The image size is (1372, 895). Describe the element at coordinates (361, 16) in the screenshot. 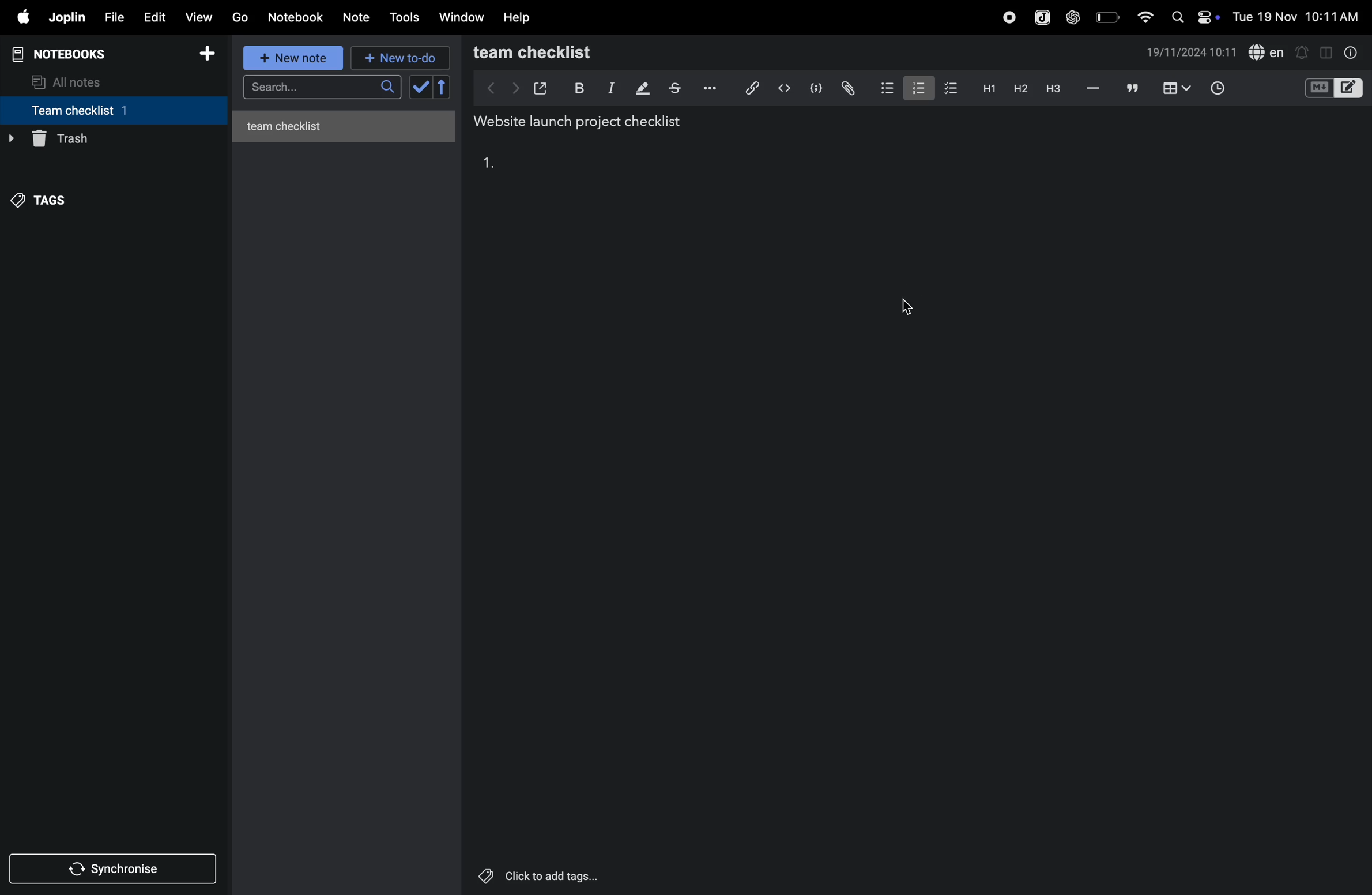

I see `note` at that location.